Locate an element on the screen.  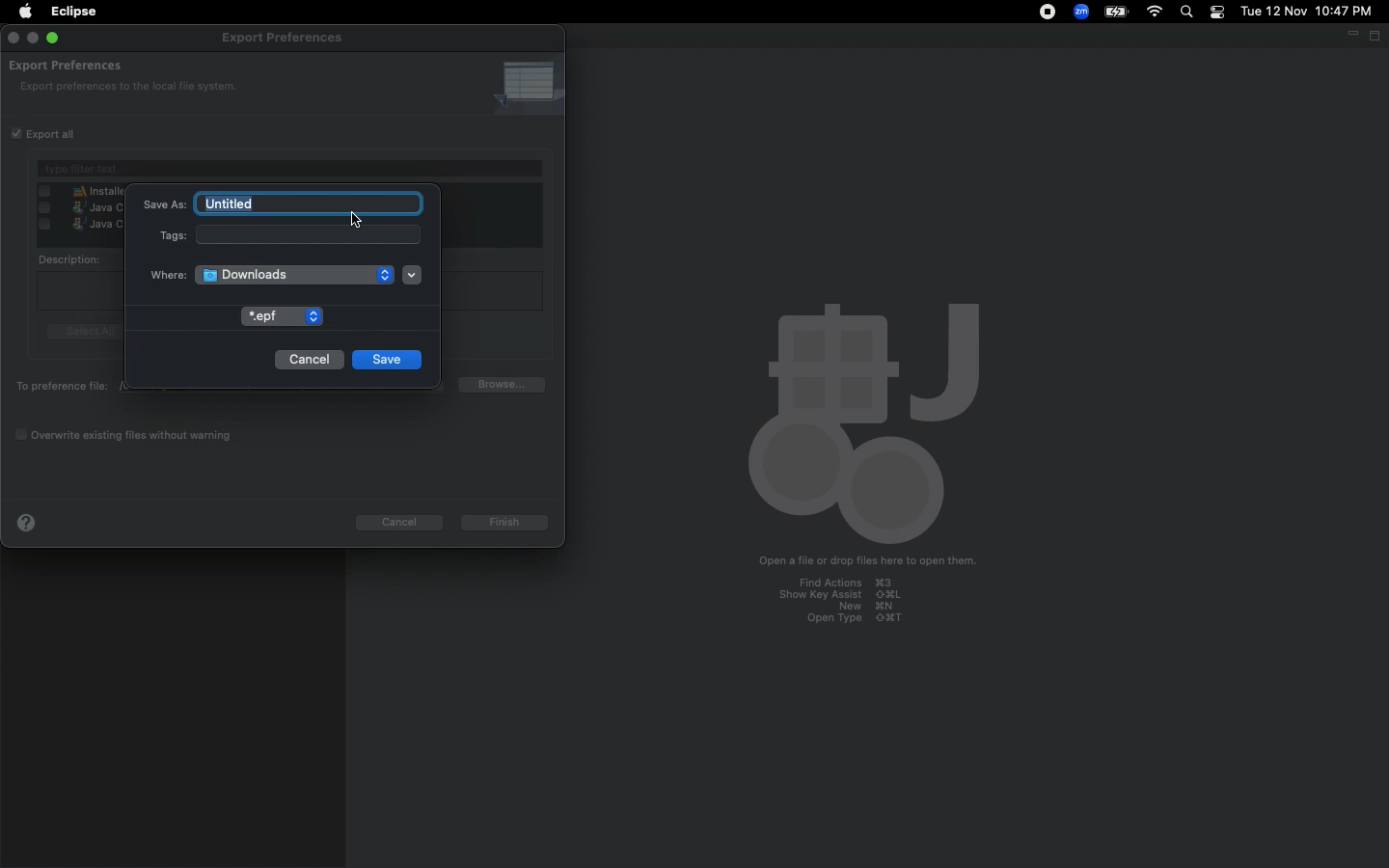
export preferences to the local file system is located at coordinates (126, 88).